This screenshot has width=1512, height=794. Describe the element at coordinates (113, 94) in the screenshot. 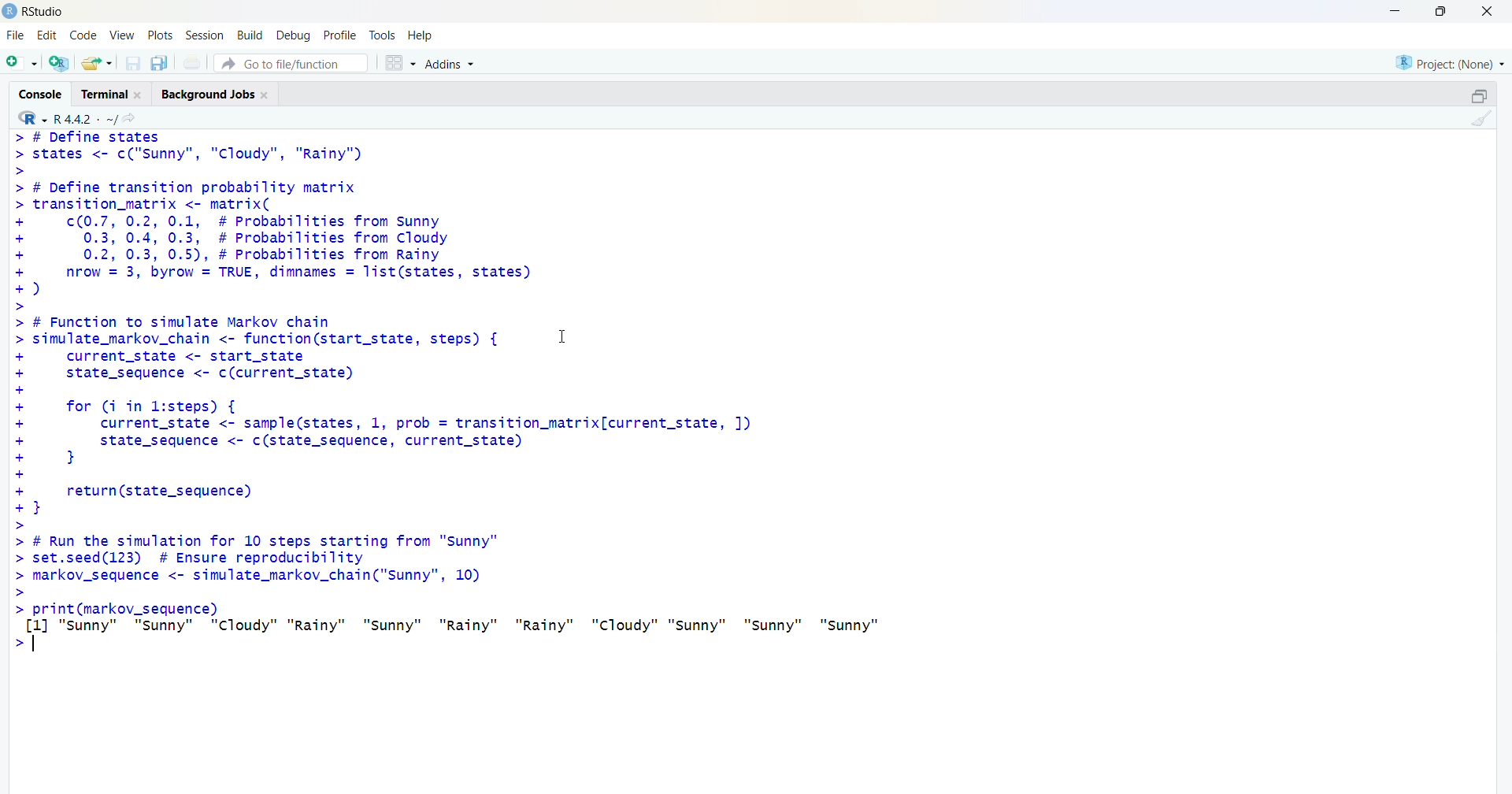

I see `terminal` at that location.